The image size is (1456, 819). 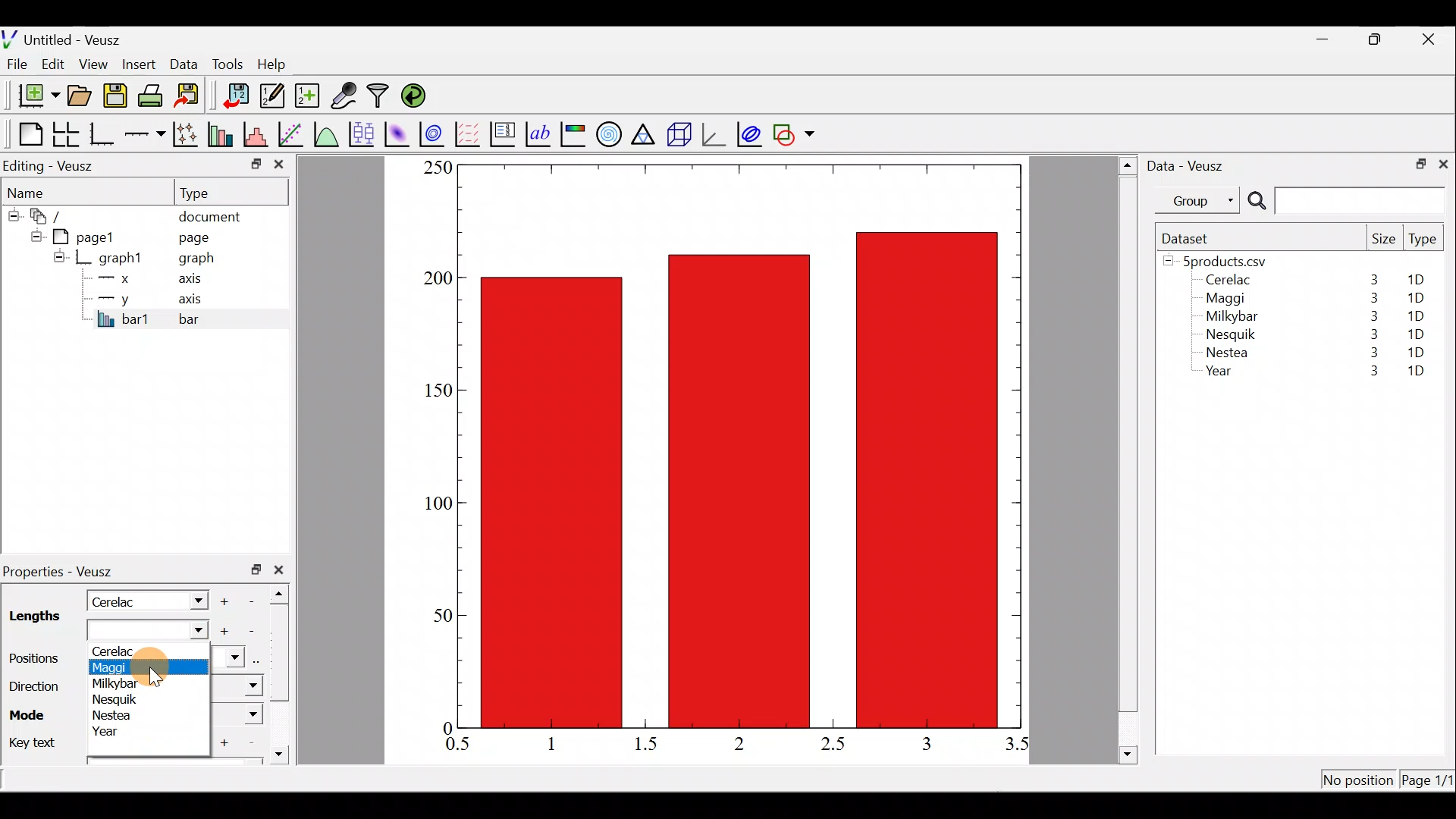 I want to click on select using dataset browser, so click(x=260, y=661).